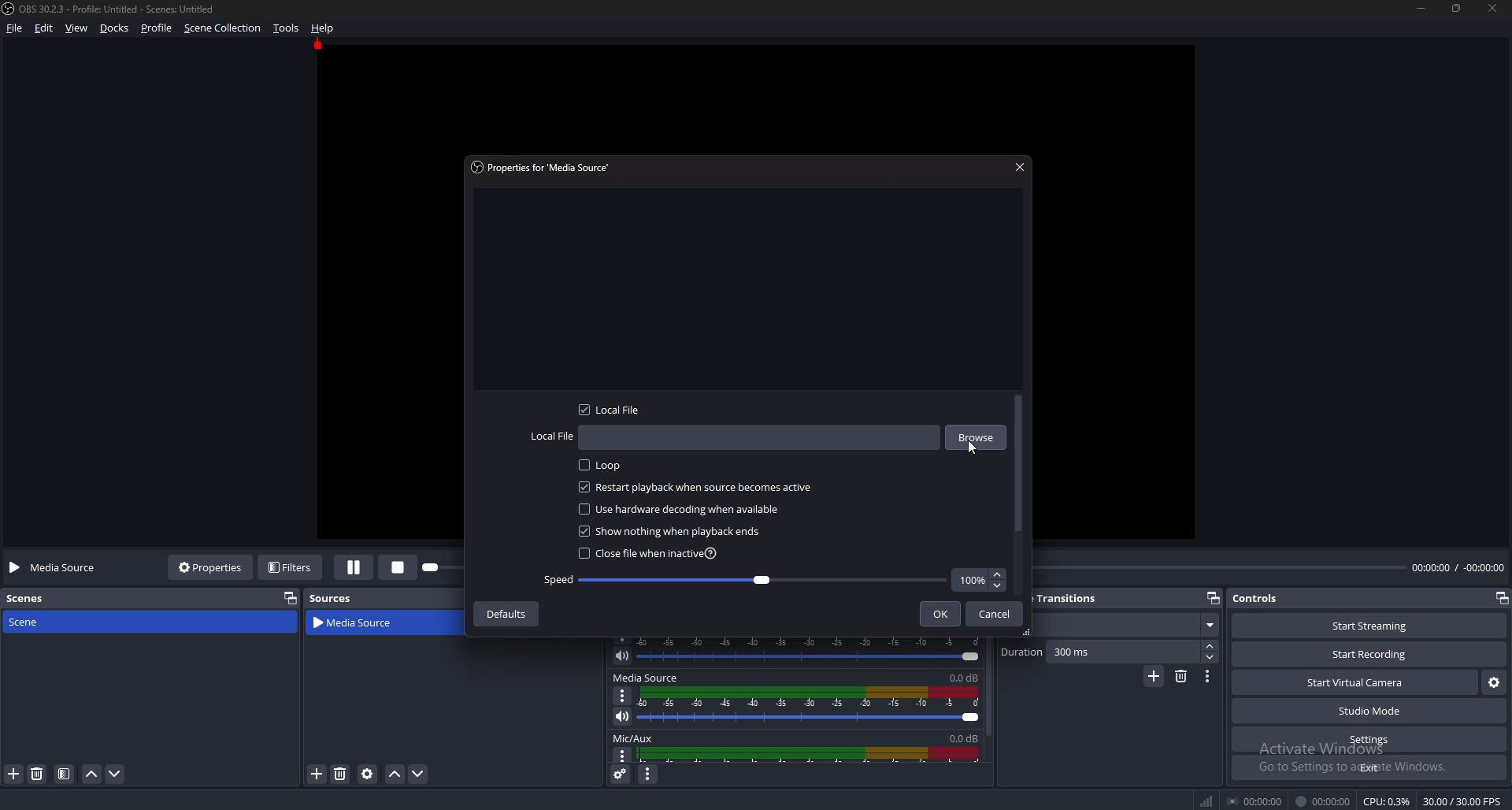 This screenshot has width=1512, height=810. Describe the element at coordinates (1370, 655) in the screenshot. I see `Start recording` at that location.